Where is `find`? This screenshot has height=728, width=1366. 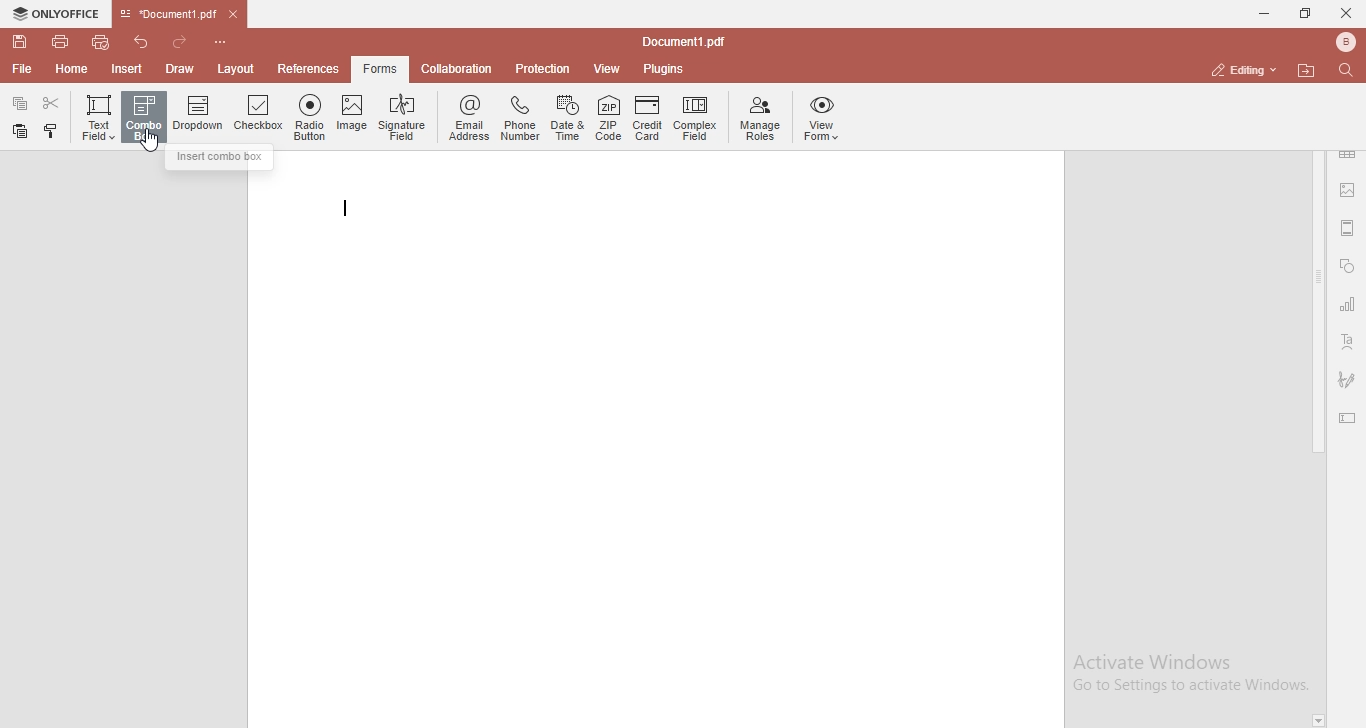
find is located at coordinates (1350, 69).